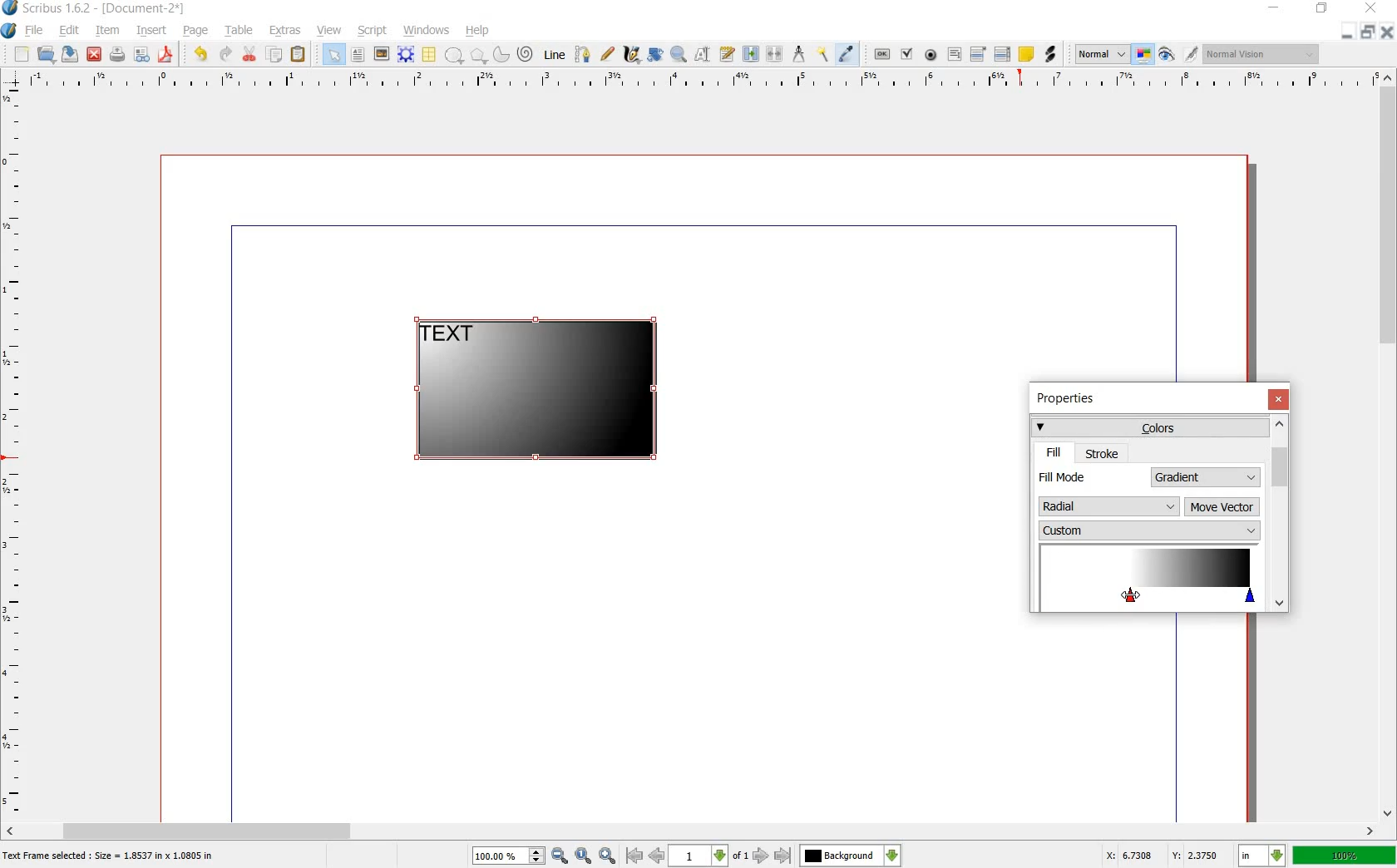  I want to click on minimize, so click(1348, 33).